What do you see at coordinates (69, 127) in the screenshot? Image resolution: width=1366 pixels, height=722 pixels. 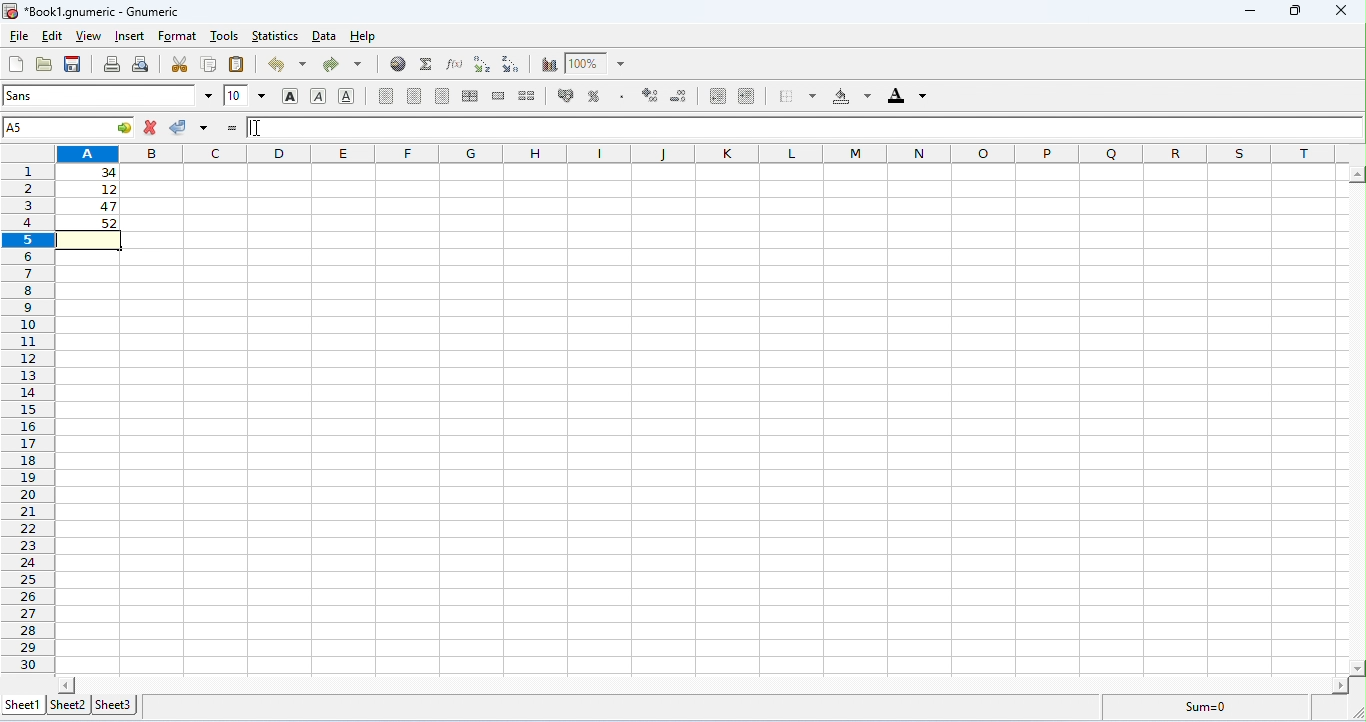 I see `selected cell number` at bounding box center [69, 127].